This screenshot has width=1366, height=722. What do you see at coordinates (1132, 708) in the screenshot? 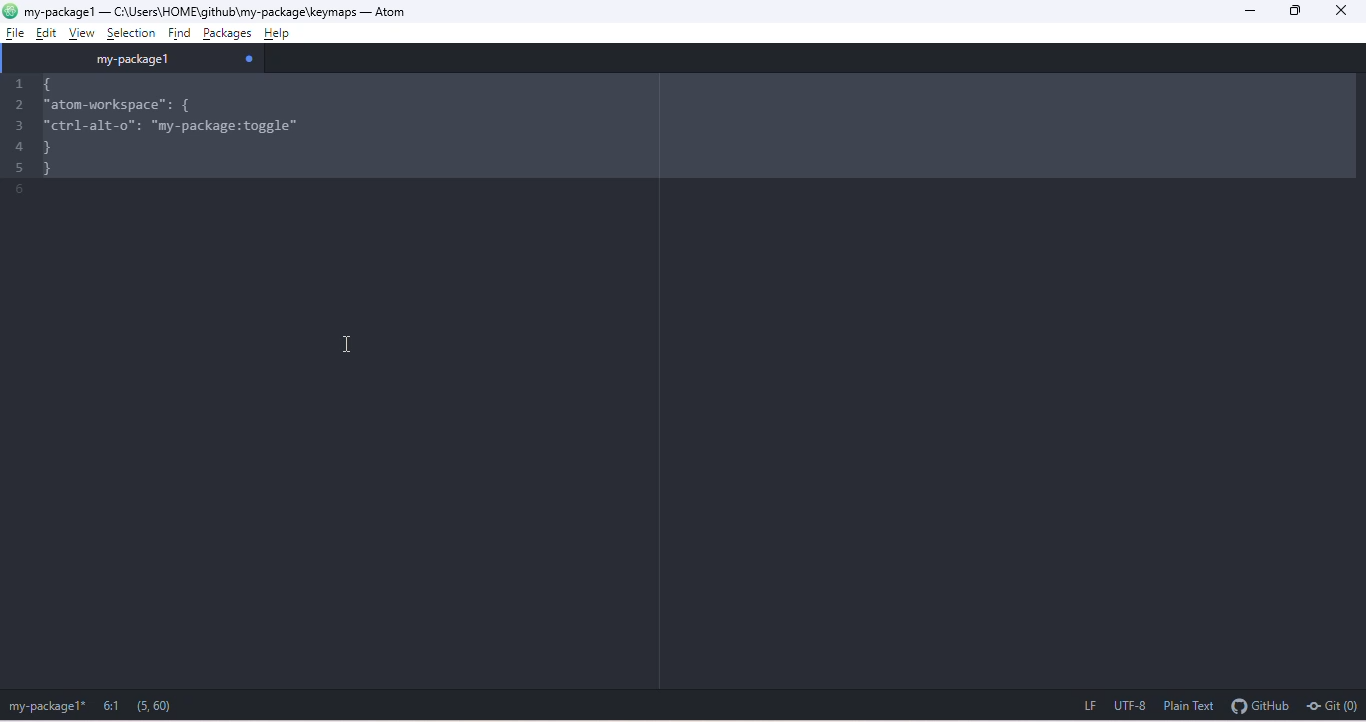
I see `utf 8` at bounding box center [1132, 708].